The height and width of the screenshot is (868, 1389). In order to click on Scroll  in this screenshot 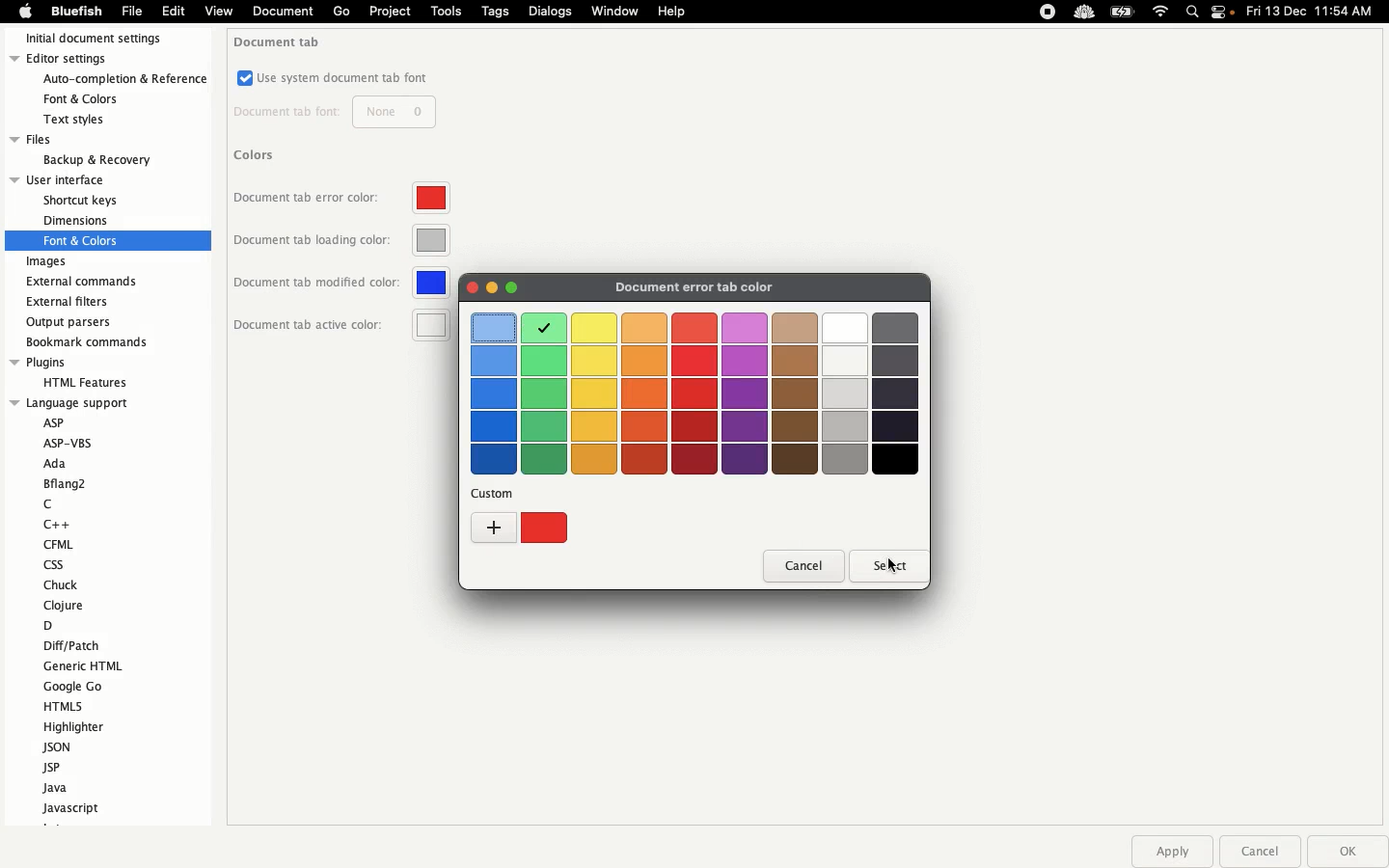, I will do `click(204, 322)`.